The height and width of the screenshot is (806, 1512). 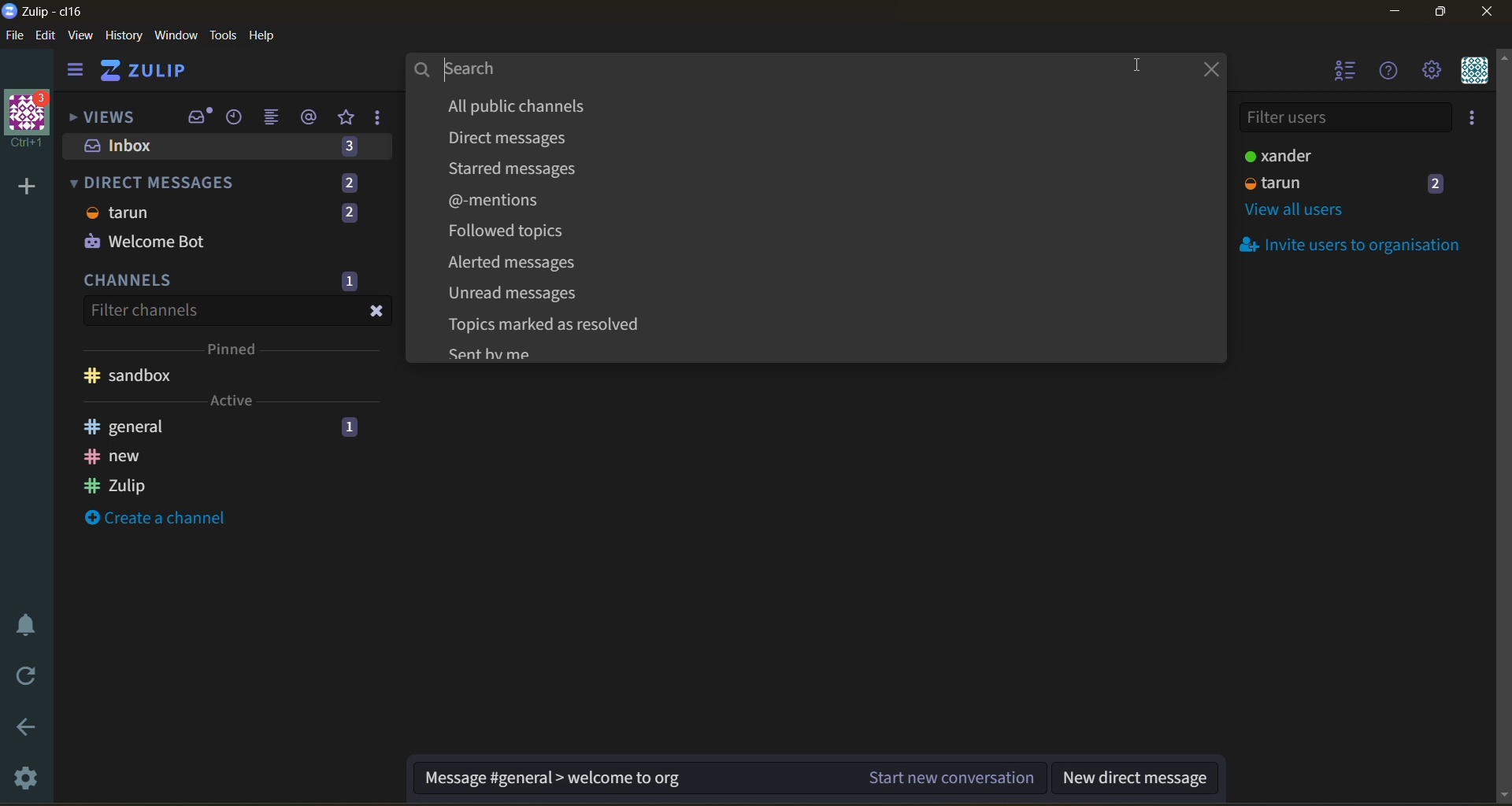 I want to click on invite users to organisation, so click(x=1473, y=117).